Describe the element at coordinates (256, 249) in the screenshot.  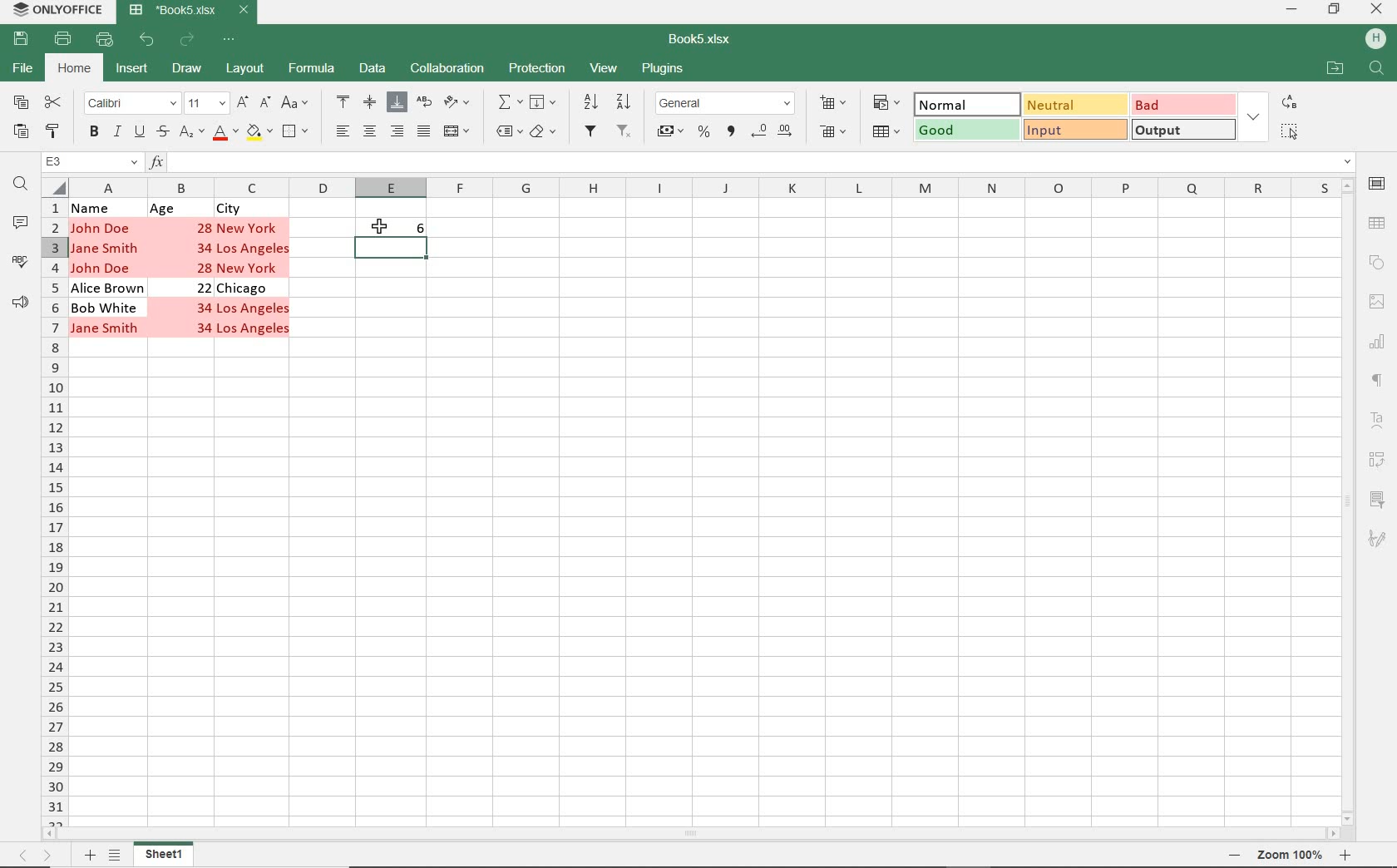
I see `Los Angeles` at that location.